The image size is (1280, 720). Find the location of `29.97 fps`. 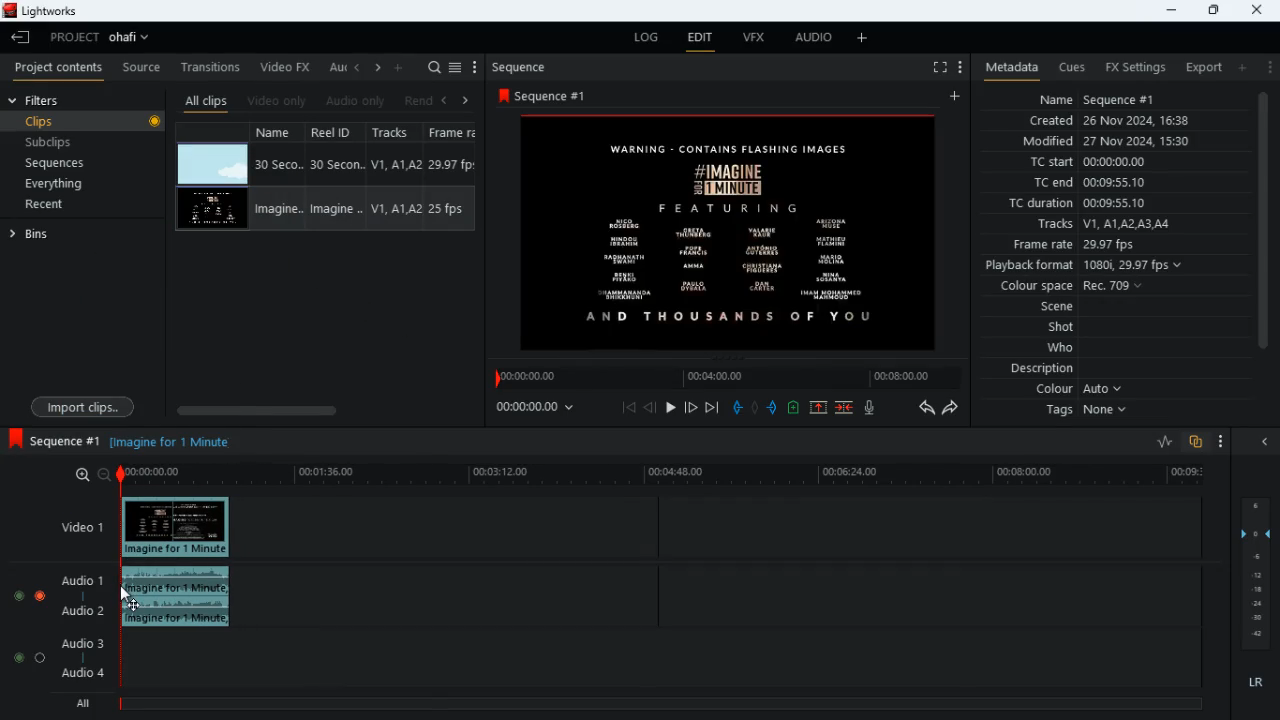

29.97 fps is located at coordinates (457, 165).